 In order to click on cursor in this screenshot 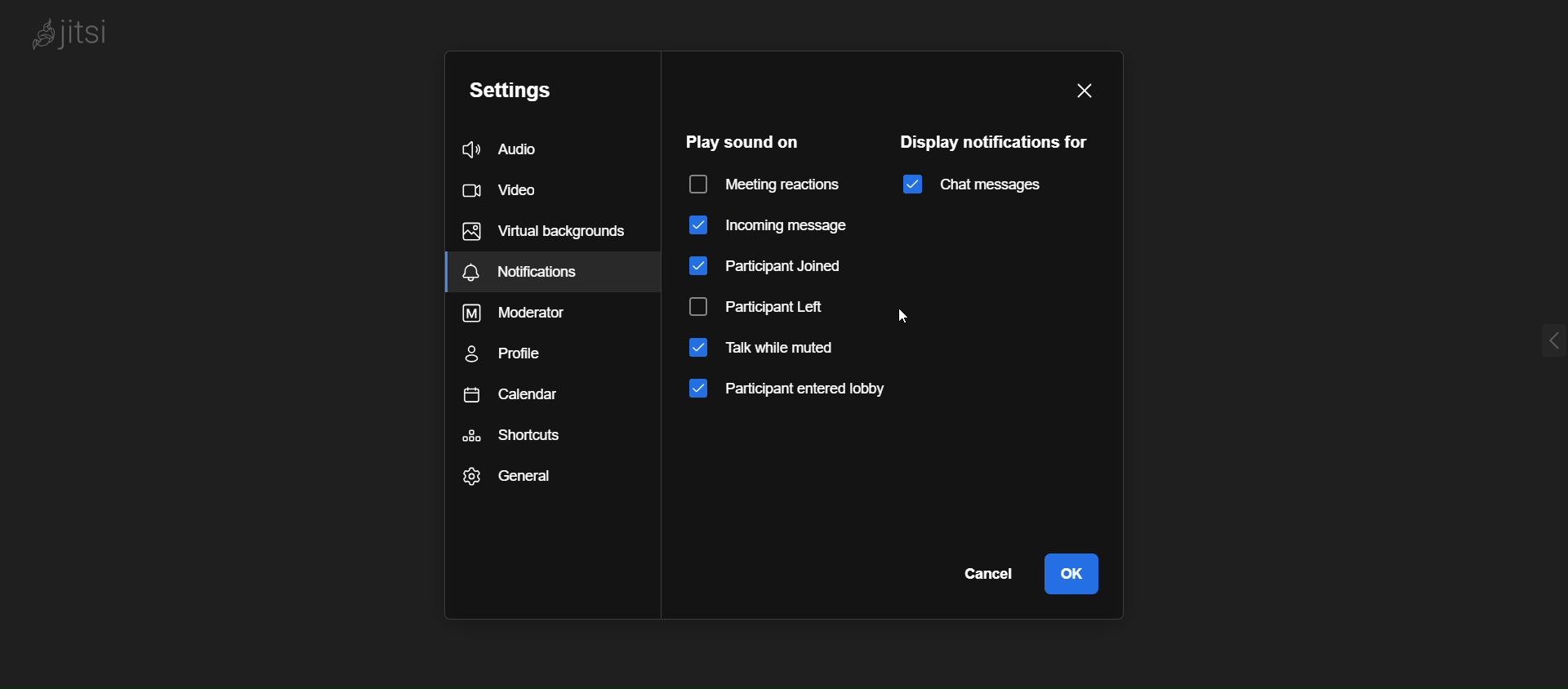, I will do `click(907, 320)`.